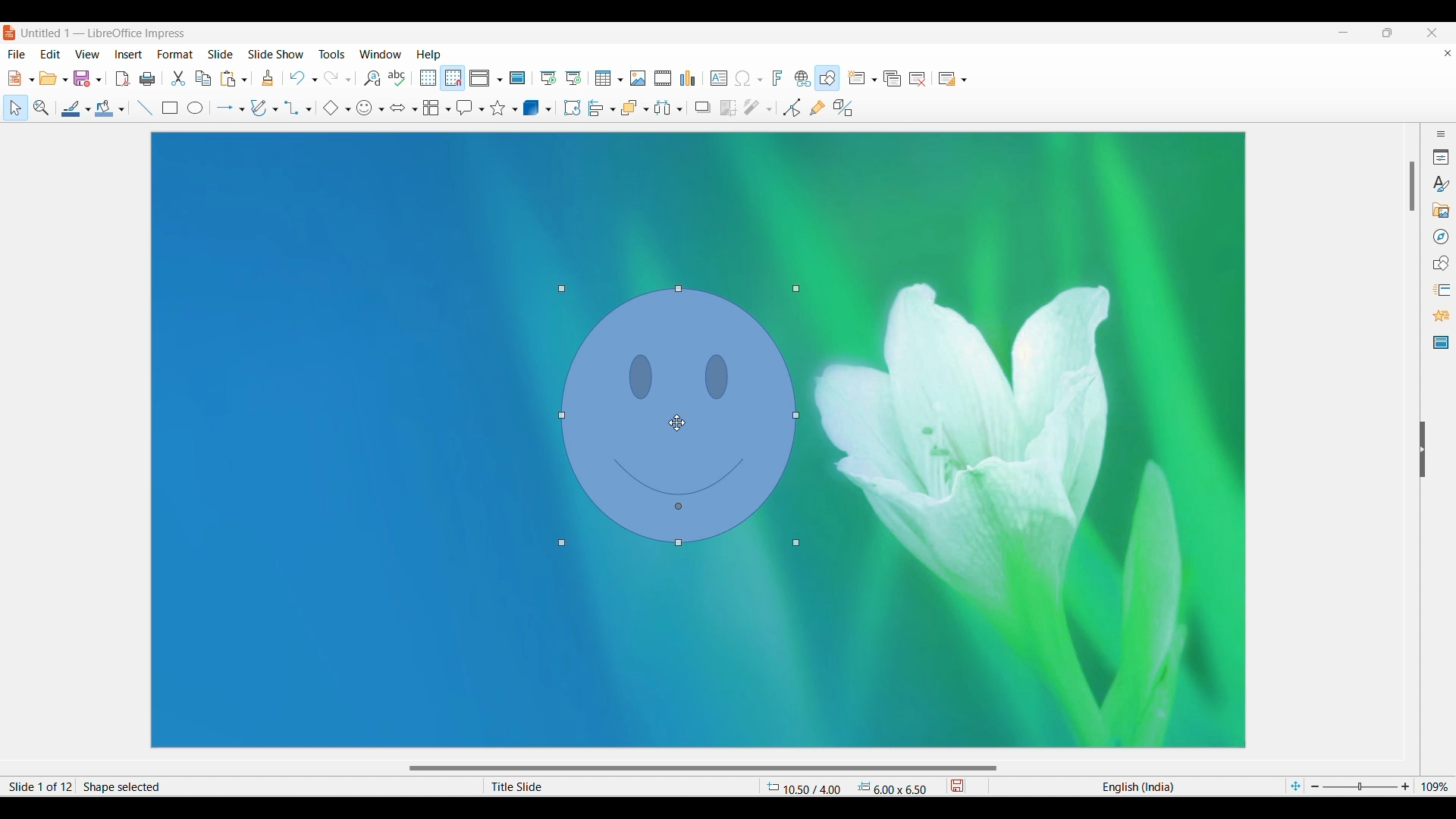 The width and height of the screenshot is (1456, 819). What do you see at coordinates (381, 54) in the screenshot?
I see `Window` at bounding box center [381, 54].